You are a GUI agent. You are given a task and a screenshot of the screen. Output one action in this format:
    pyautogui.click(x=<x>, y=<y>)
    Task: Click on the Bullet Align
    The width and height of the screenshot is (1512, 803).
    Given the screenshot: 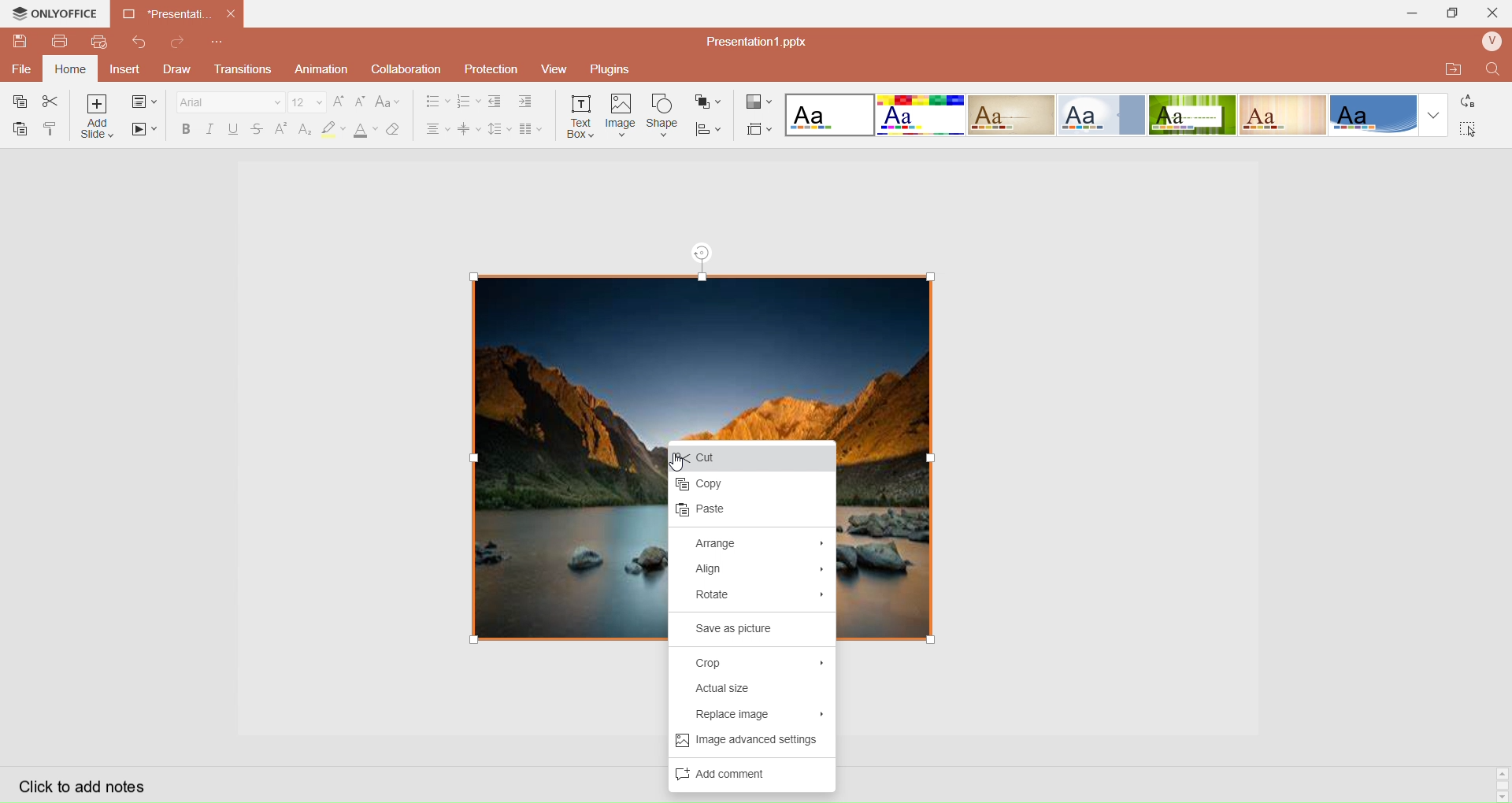 What is the action you would take?
    pyautogui.click(x=436, y=102)
    